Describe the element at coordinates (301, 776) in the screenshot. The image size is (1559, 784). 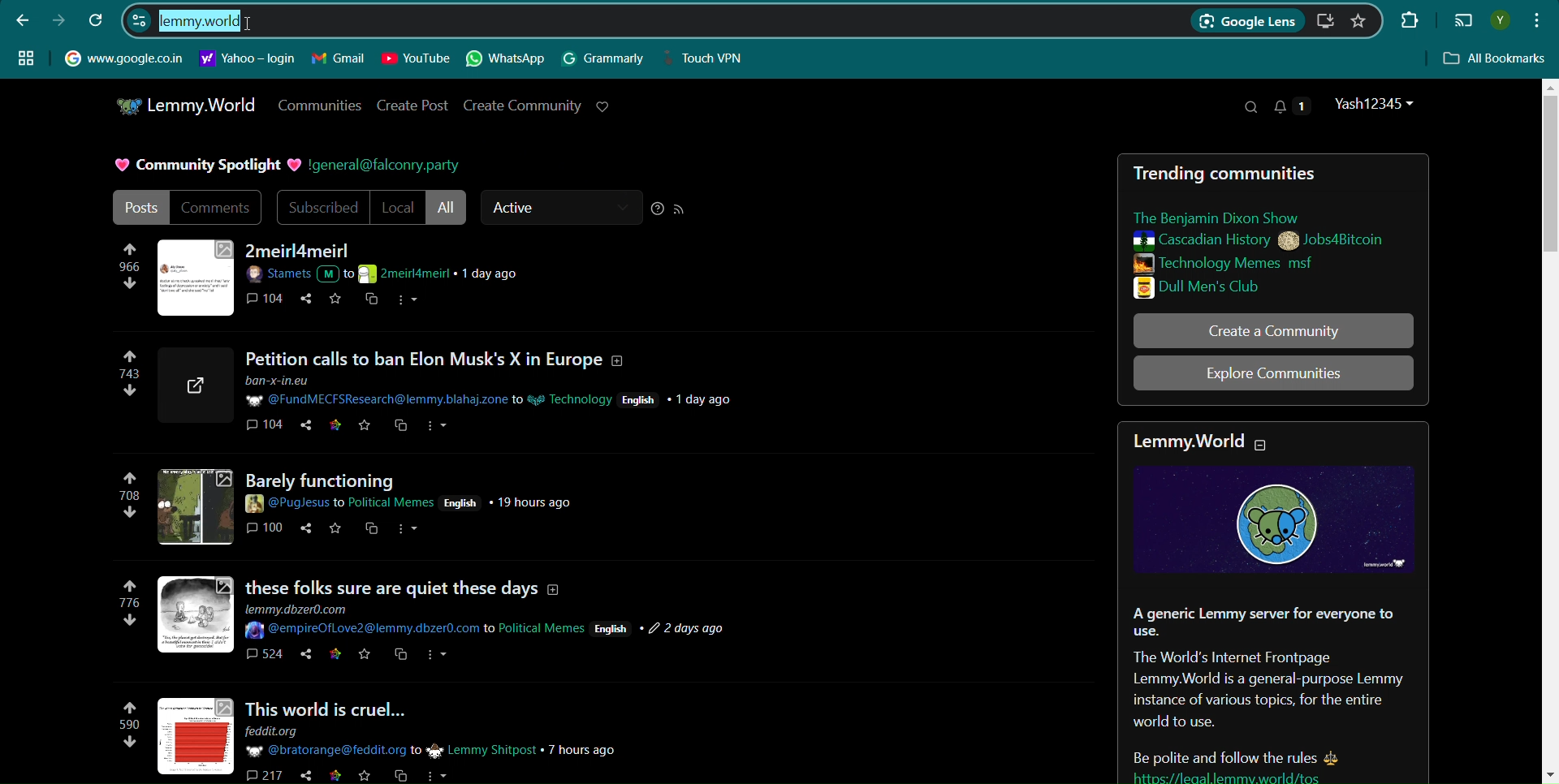
I see `share` at that location.